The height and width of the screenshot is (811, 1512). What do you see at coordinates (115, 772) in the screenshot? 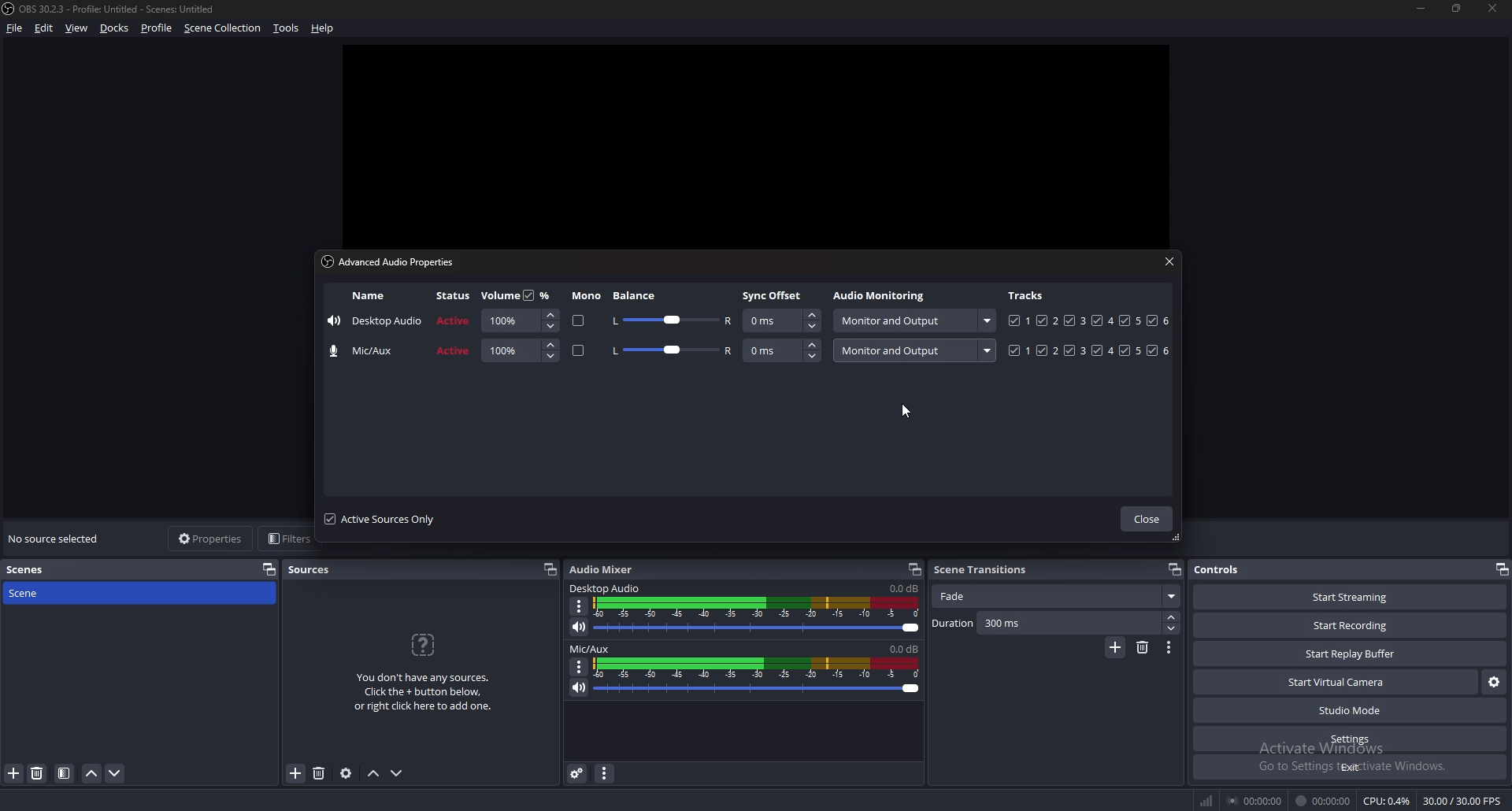
I see `move scene down` at bounding box center [115, 772].